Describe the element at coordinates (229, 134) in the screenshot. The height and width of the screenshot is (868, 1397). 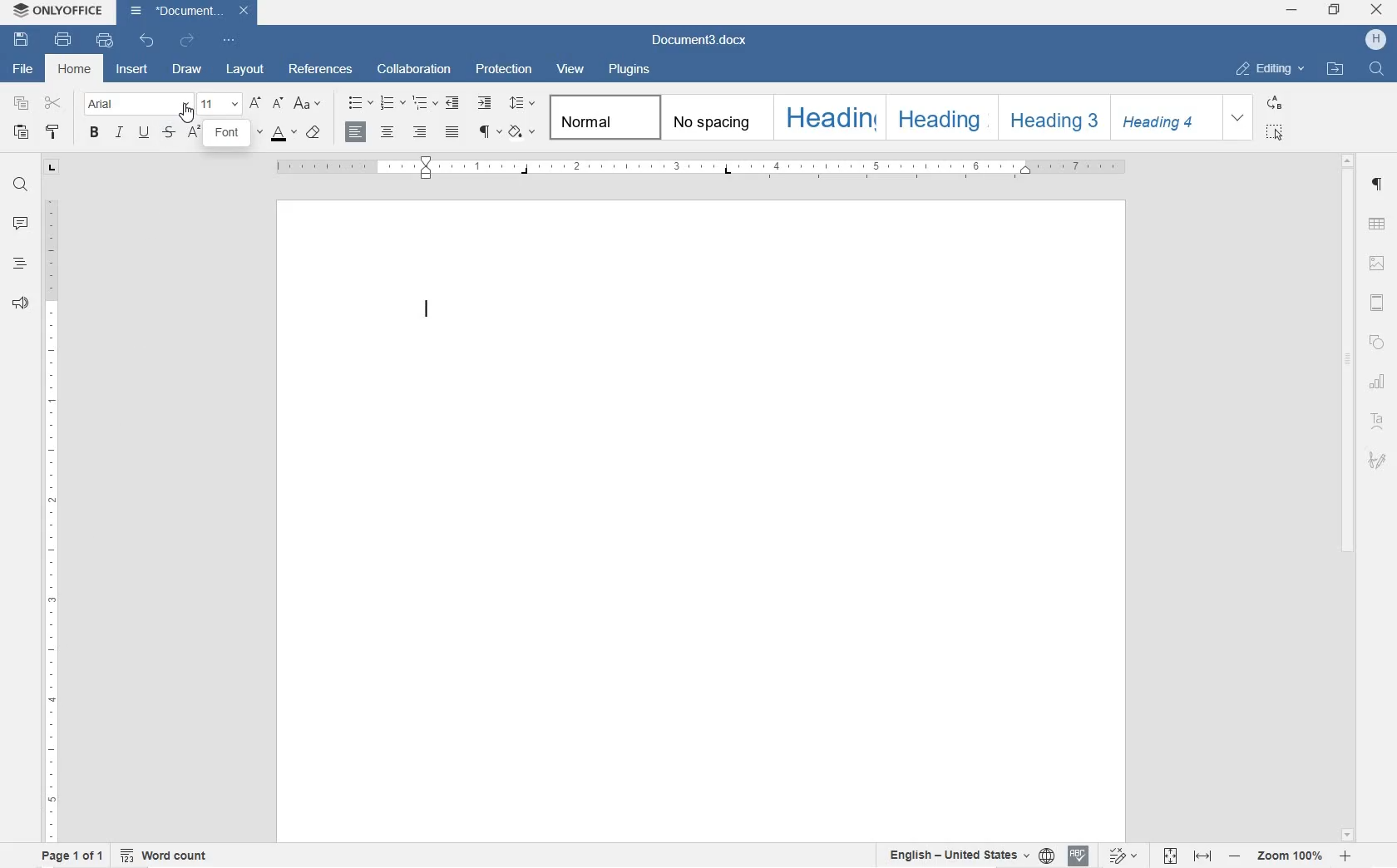
I see `FONT` at that location.